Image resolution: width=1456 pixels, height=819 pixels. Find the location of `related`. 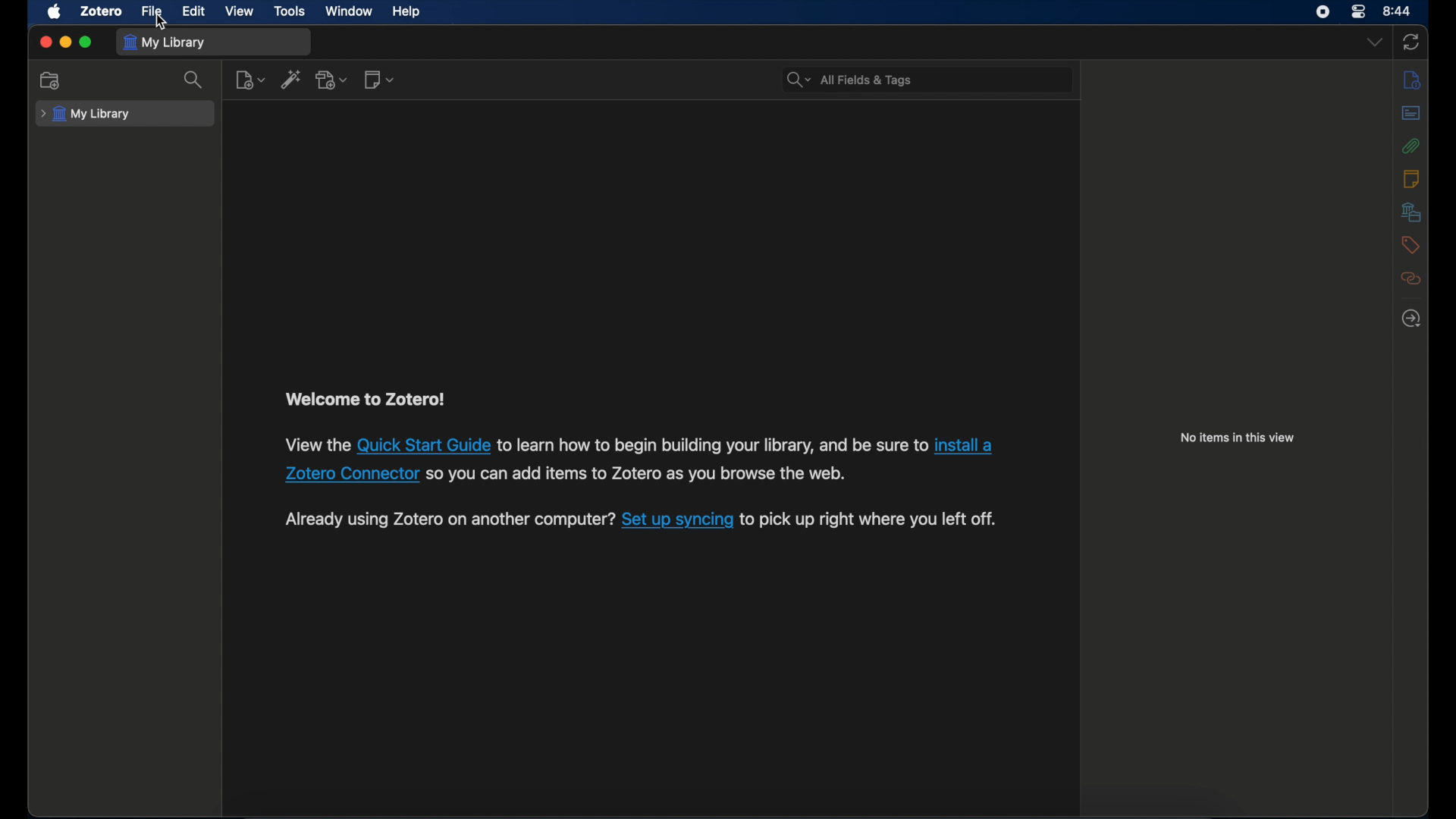

related is located at coordinates (1411, 279).